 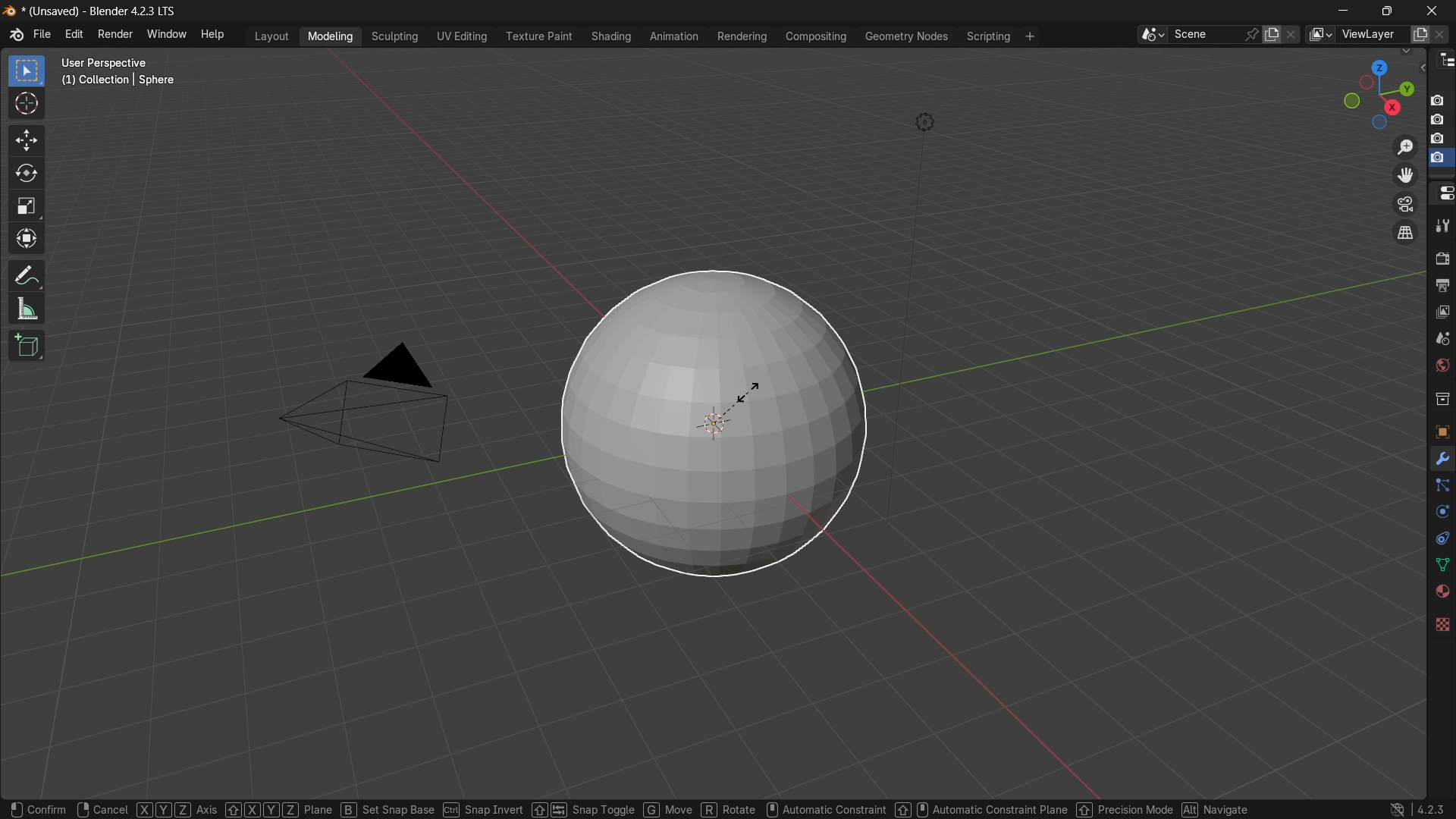 I want to click on capture, so click(x=1441, y=140).